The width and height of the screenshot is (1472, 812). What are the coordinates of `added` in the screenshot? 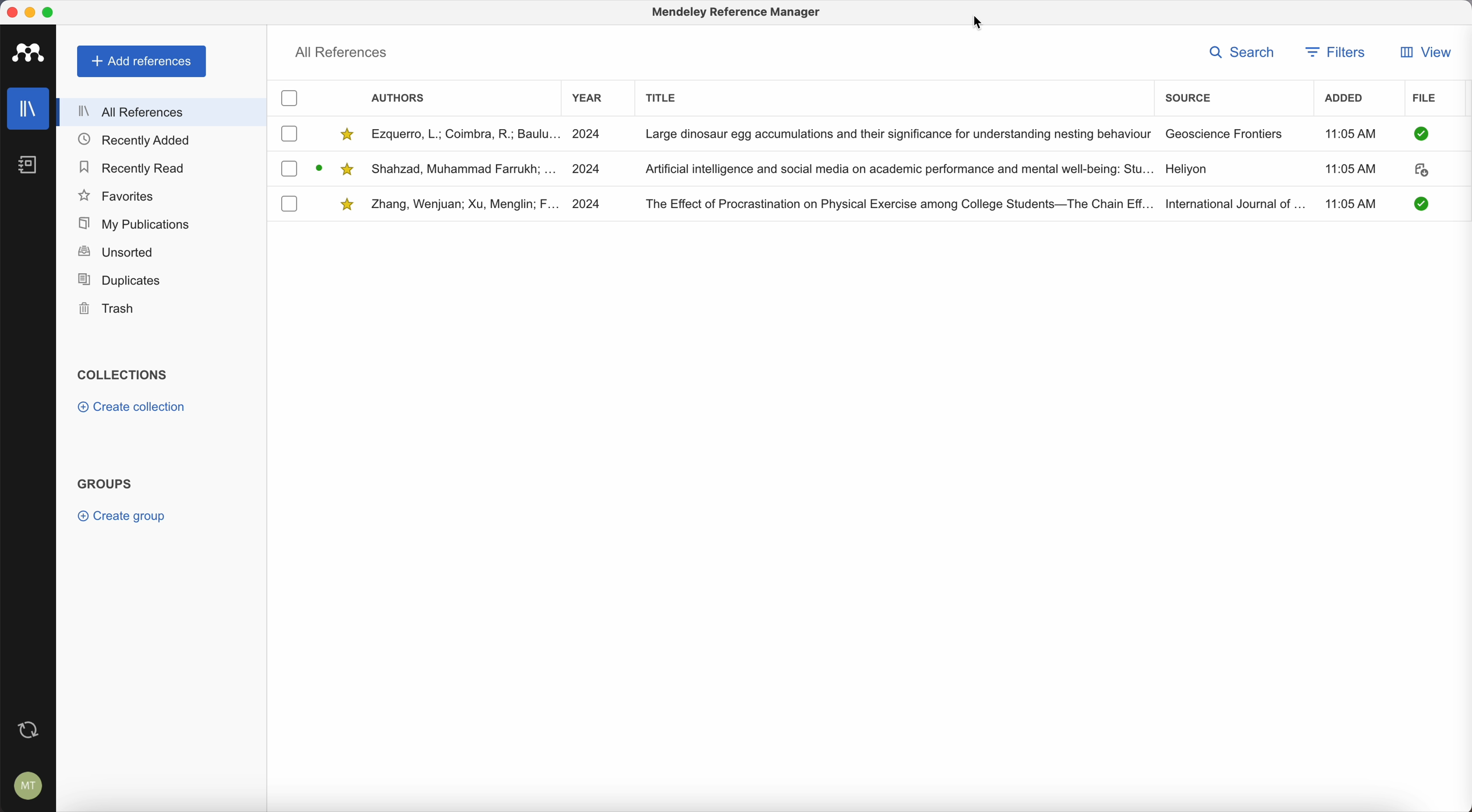 It's located at (1349, 100).